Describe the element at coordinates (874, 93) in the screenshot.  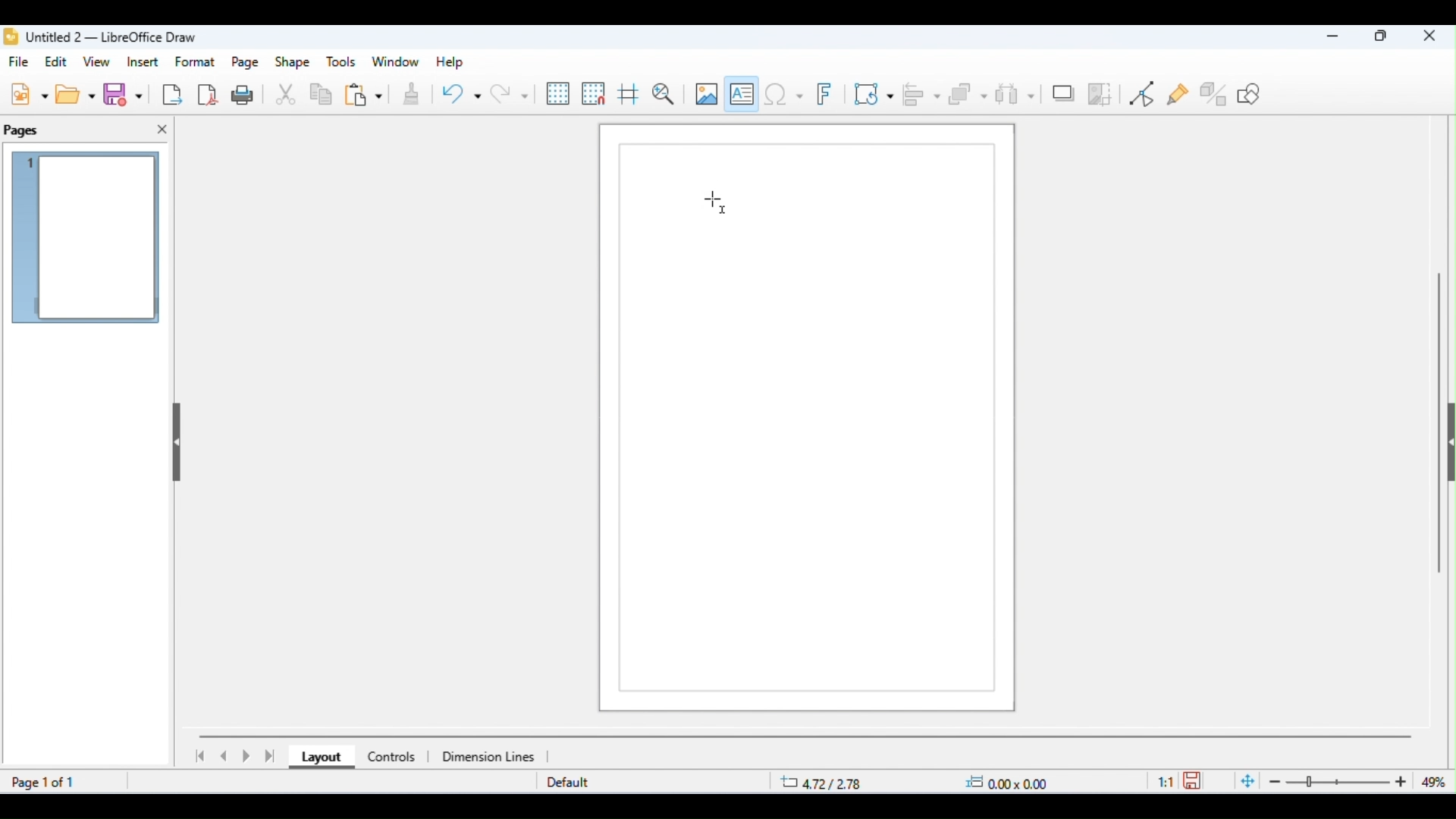
I see `transformations` at that location.